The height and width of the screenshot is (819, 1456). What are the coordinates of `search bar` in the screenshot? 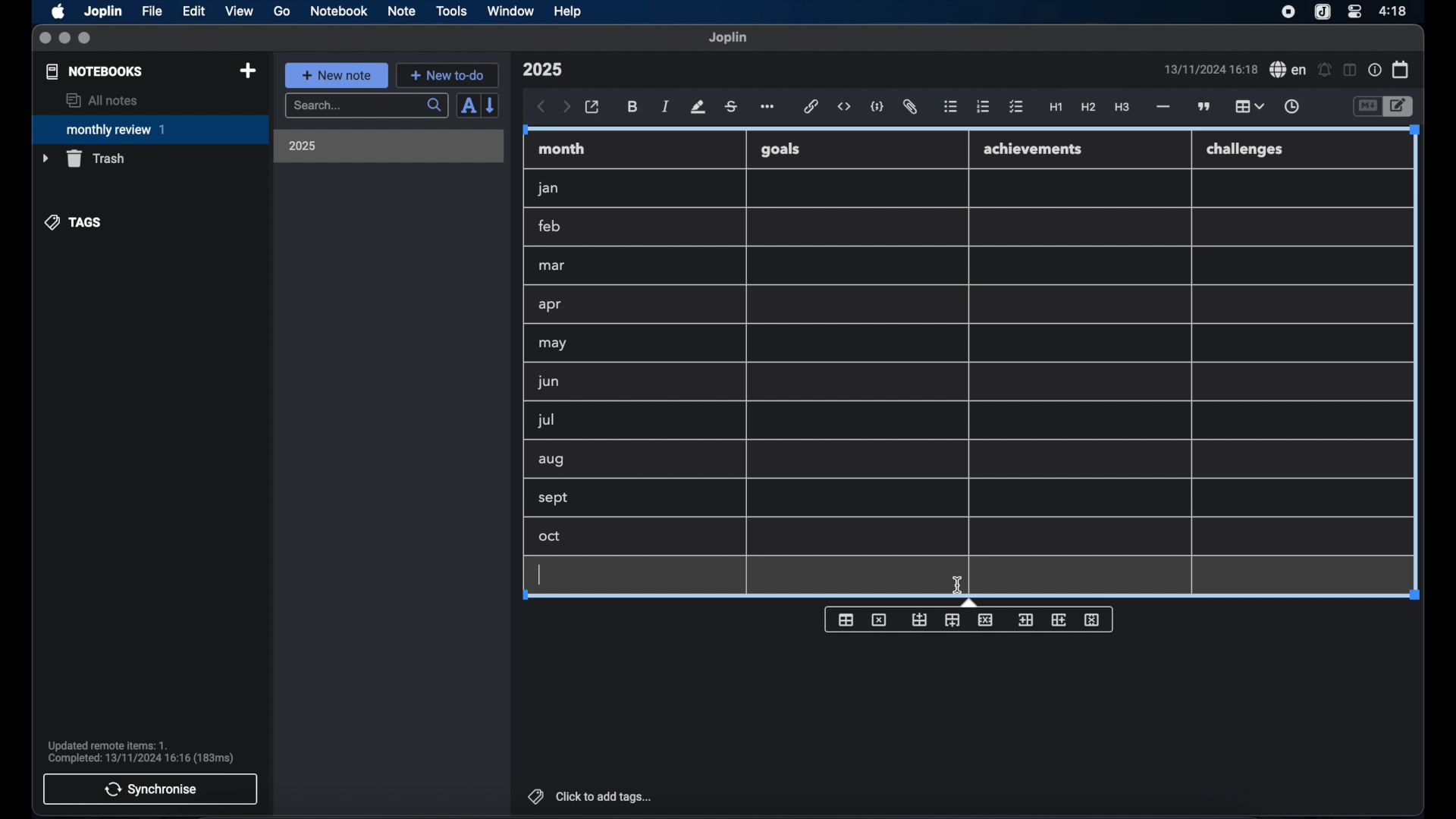 It's located at (366, 107).